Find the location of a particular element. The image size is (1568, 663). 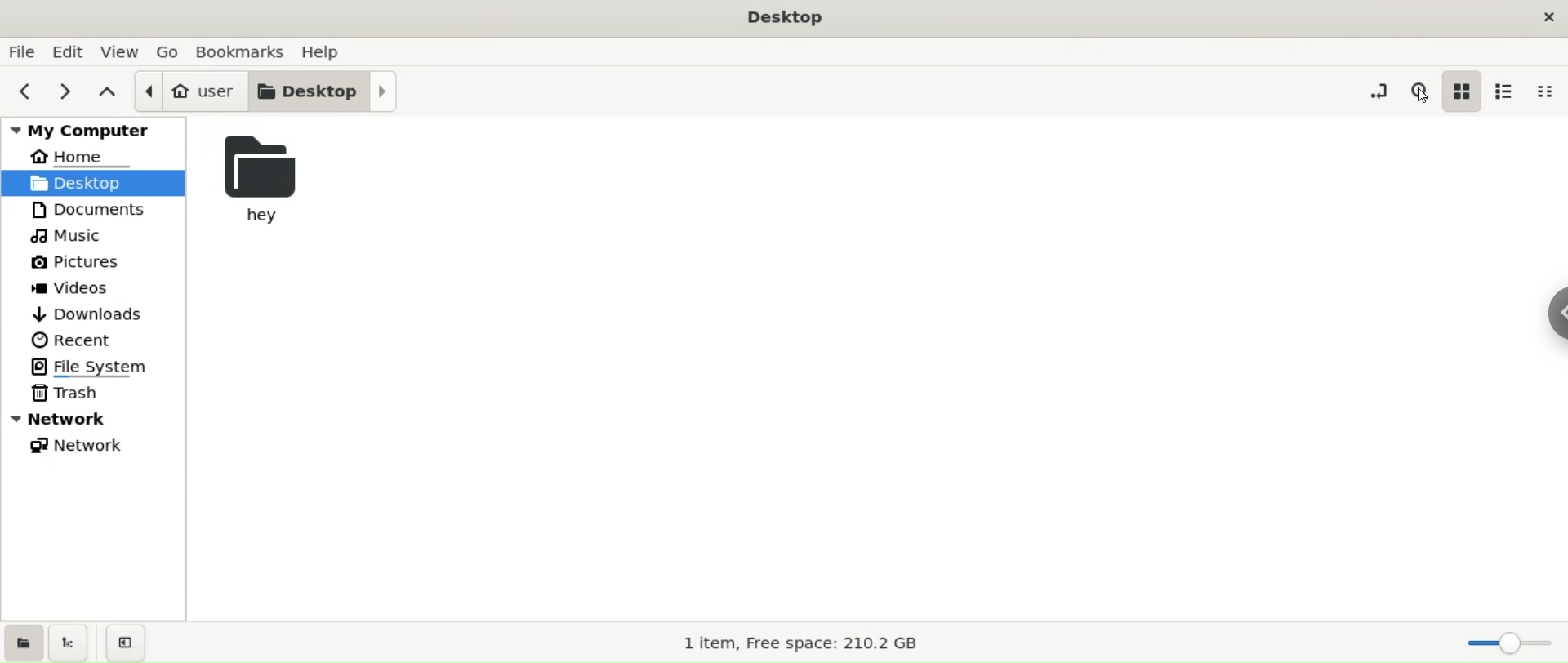

compact view is located at coordinates (1548, 92).